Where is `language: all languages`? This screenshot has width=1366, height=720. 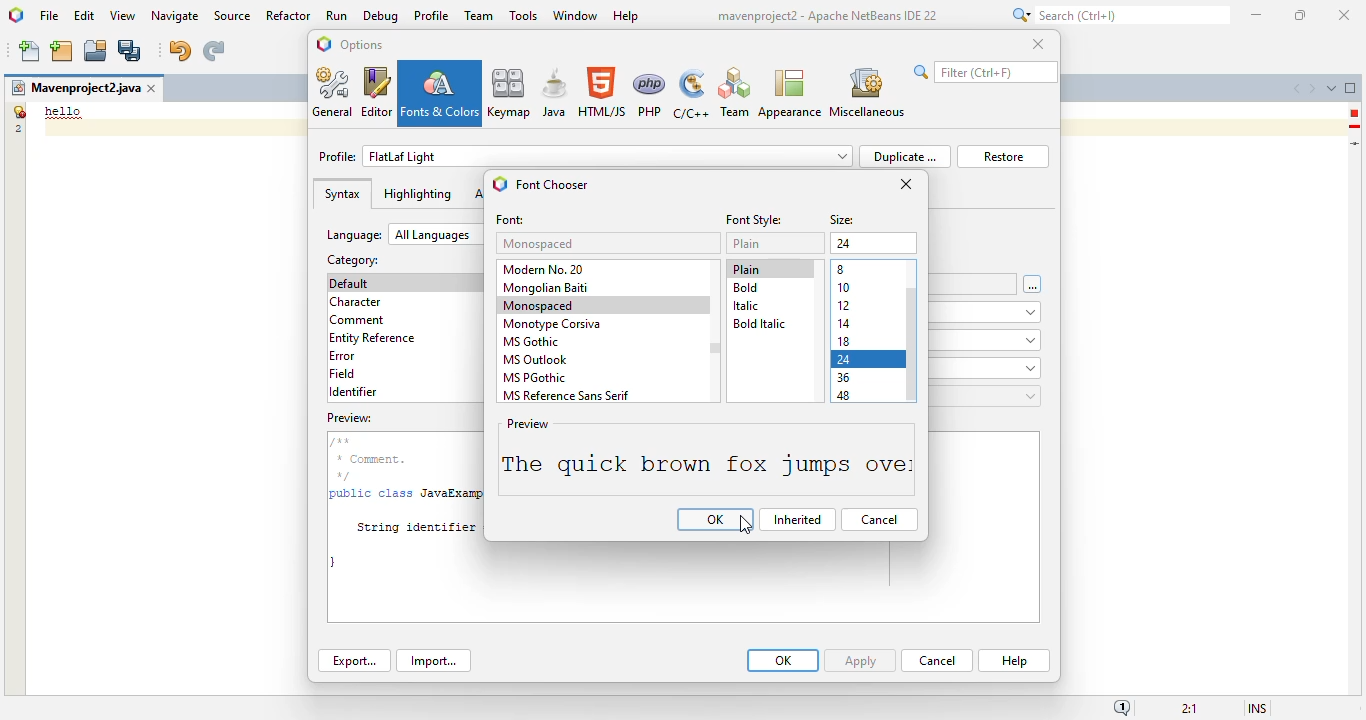 language: all languages is located at coordinates (405, 235).